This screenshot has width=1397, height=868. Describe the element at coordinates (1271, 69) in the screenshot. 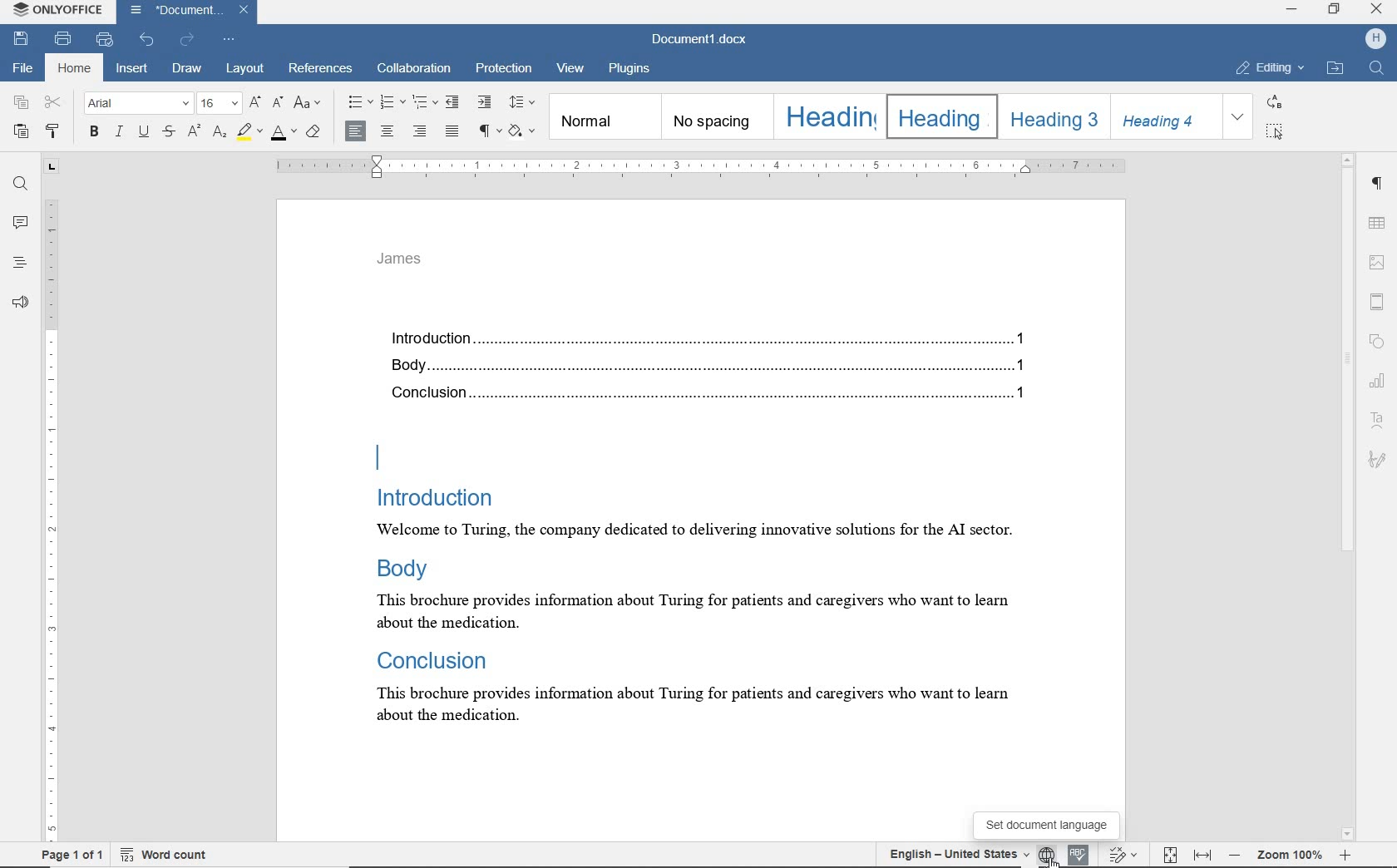

I see `EDITING` at that location.